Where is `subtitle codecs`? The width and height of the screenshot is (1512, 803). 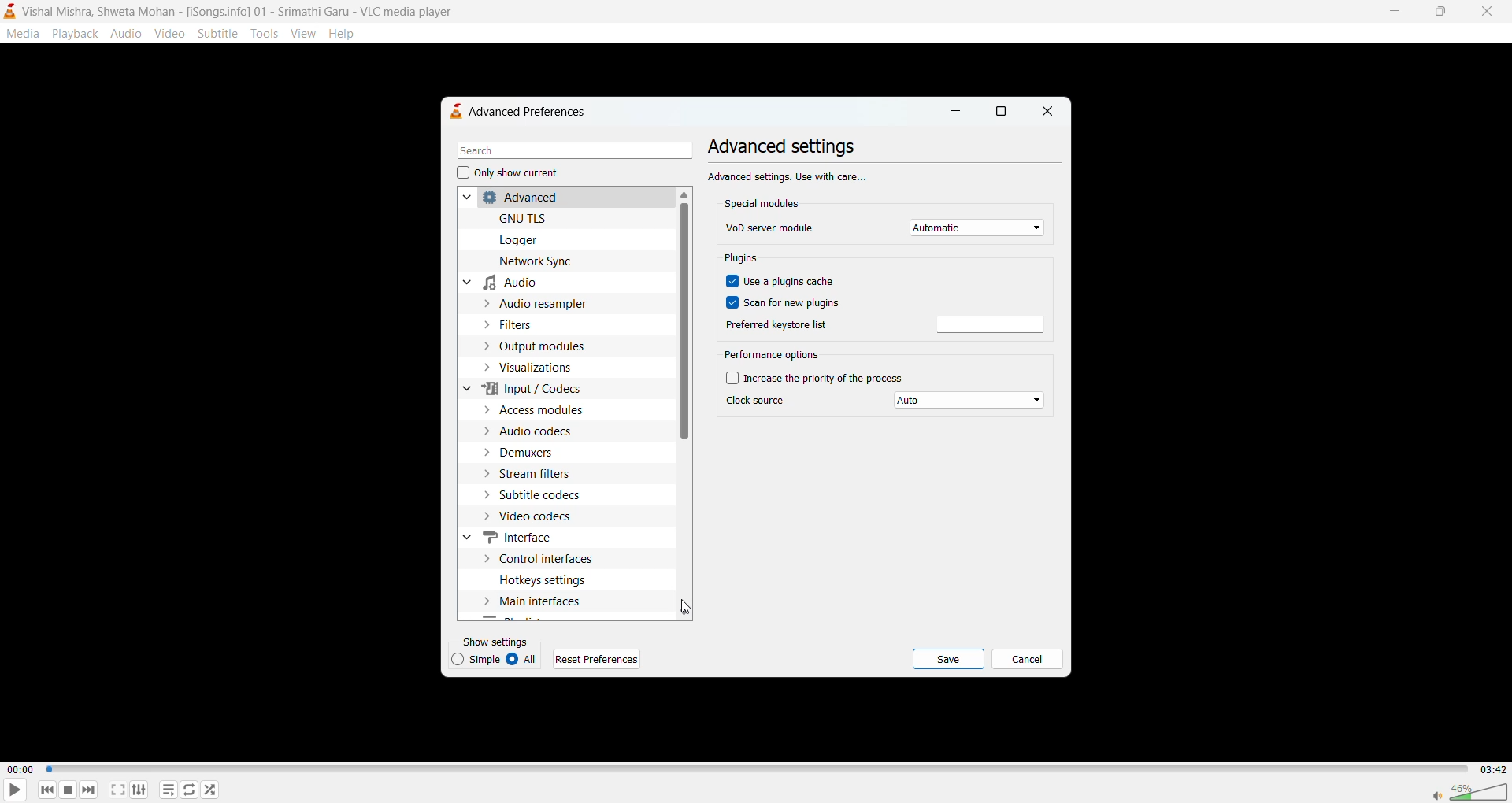
subtitle codecs is located at coordinates (540, 494).